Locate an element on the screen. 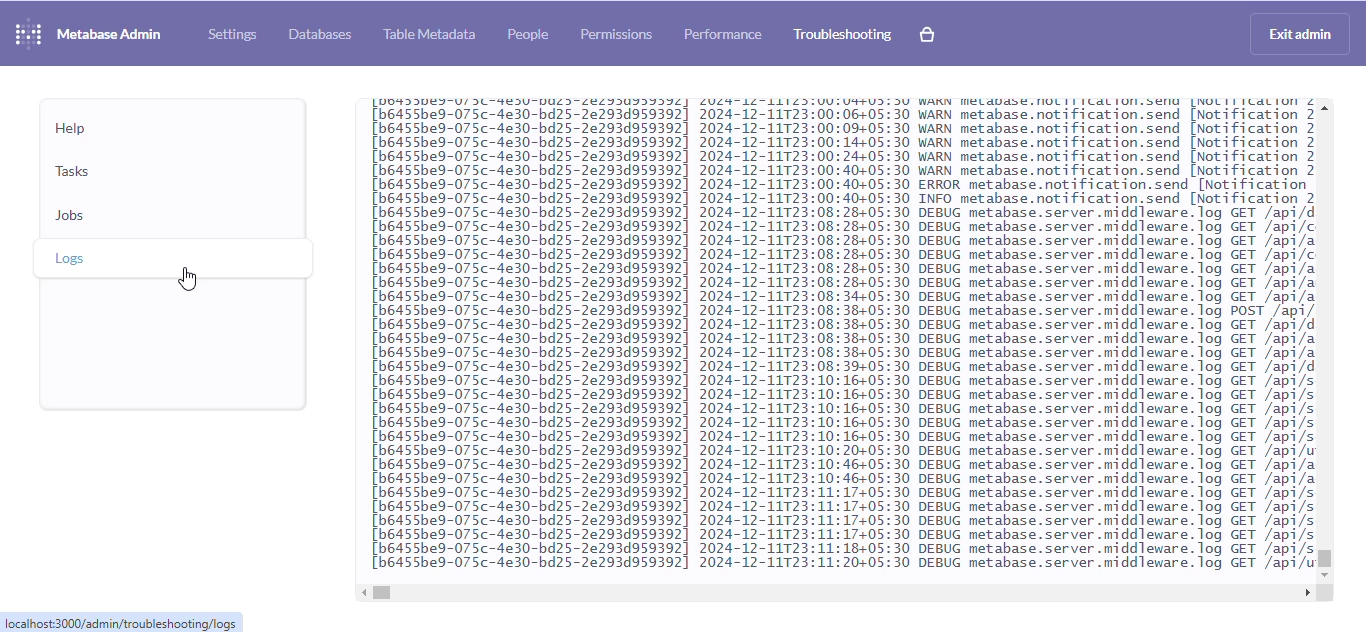 The image size is (1366, 632). logs is located at coordinates (72, 258).